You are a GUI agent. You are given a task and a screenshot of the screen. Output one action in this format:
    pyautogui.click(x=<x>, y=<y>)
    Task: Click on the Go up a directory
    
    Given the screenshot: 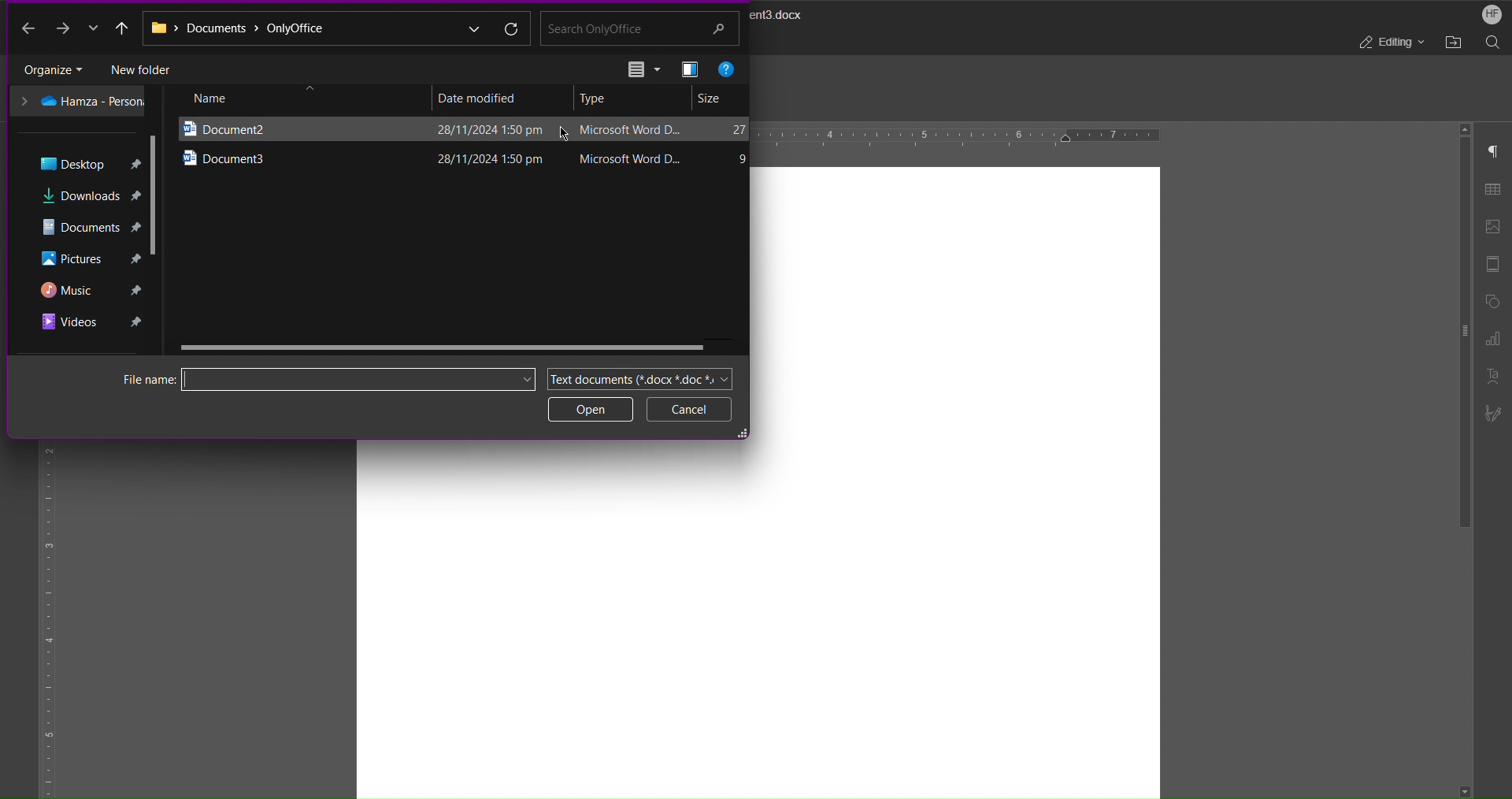 What is the action you would take?
    pyautogui.click(x=121, y=28)
    